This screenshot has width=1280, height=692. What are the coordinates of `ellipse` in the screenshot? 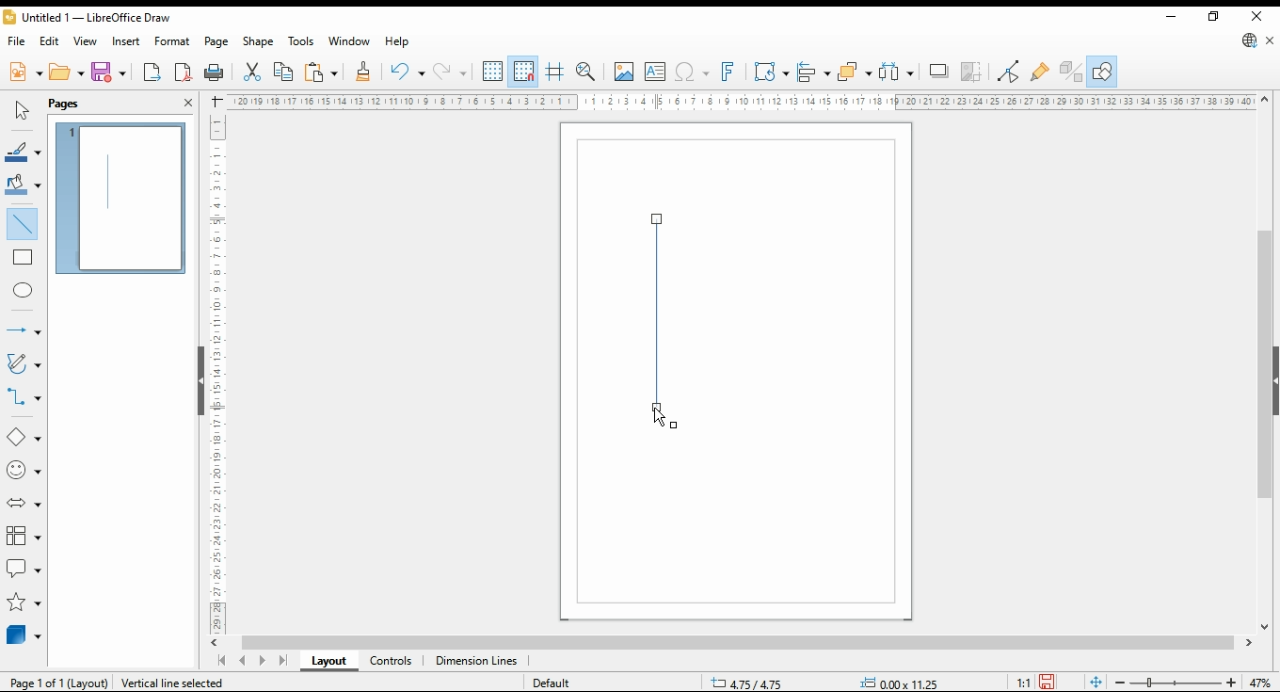 It's located at (25, 290).